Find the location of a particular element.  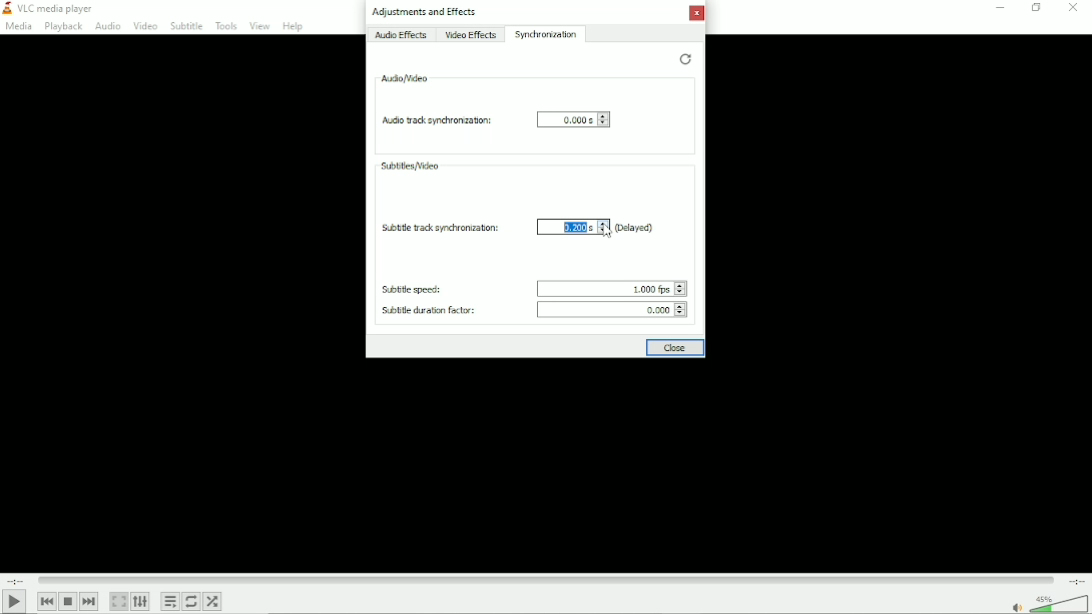

Total duration is located at coordinates (1077, 580).